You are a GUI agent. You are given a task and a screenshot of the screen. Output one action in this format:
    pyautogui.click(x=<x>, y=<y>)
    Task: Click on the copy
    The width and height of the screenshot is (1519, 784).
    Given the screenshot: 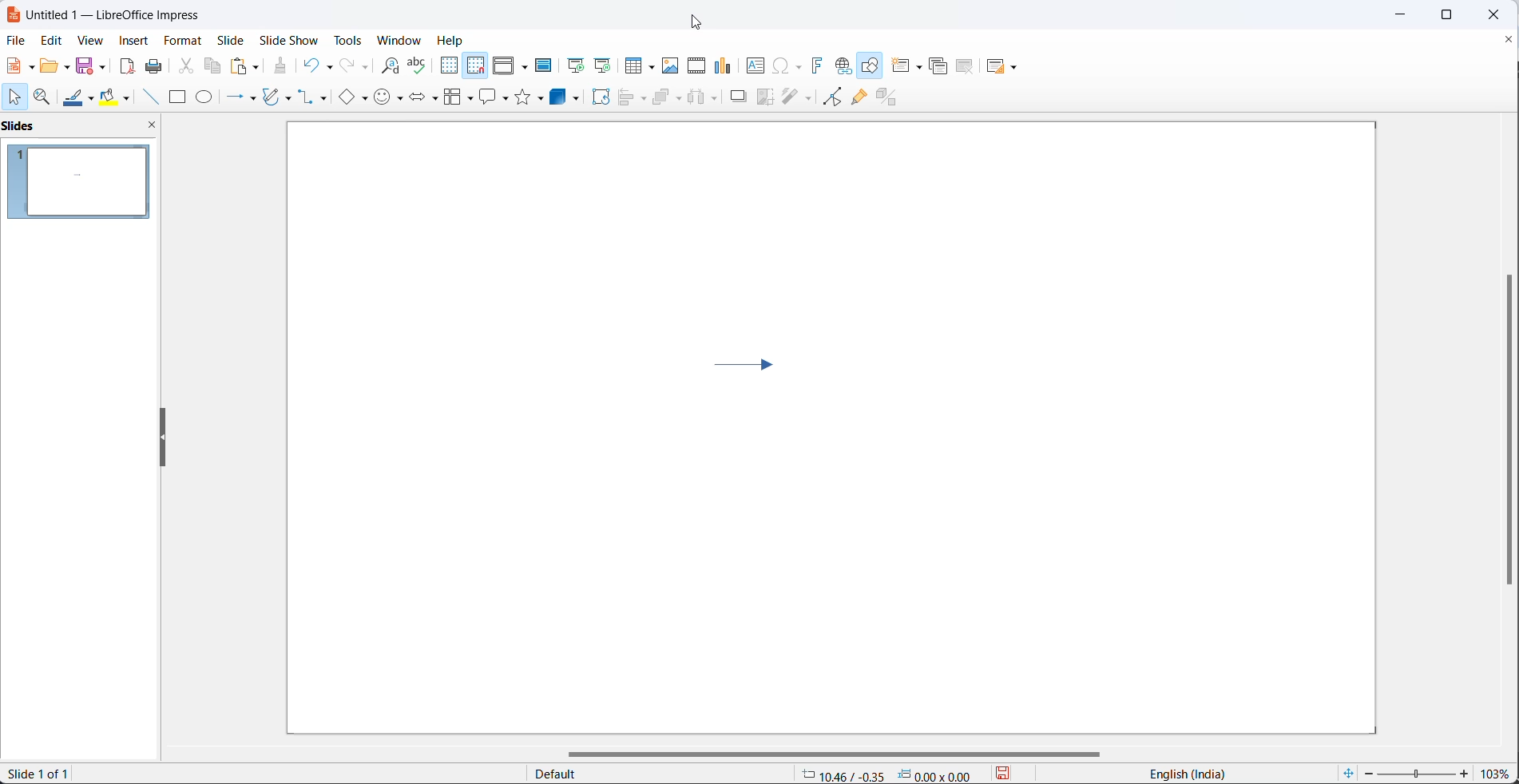 What is the action you would take?
    pyautogui.click(x=213, y=65)
    